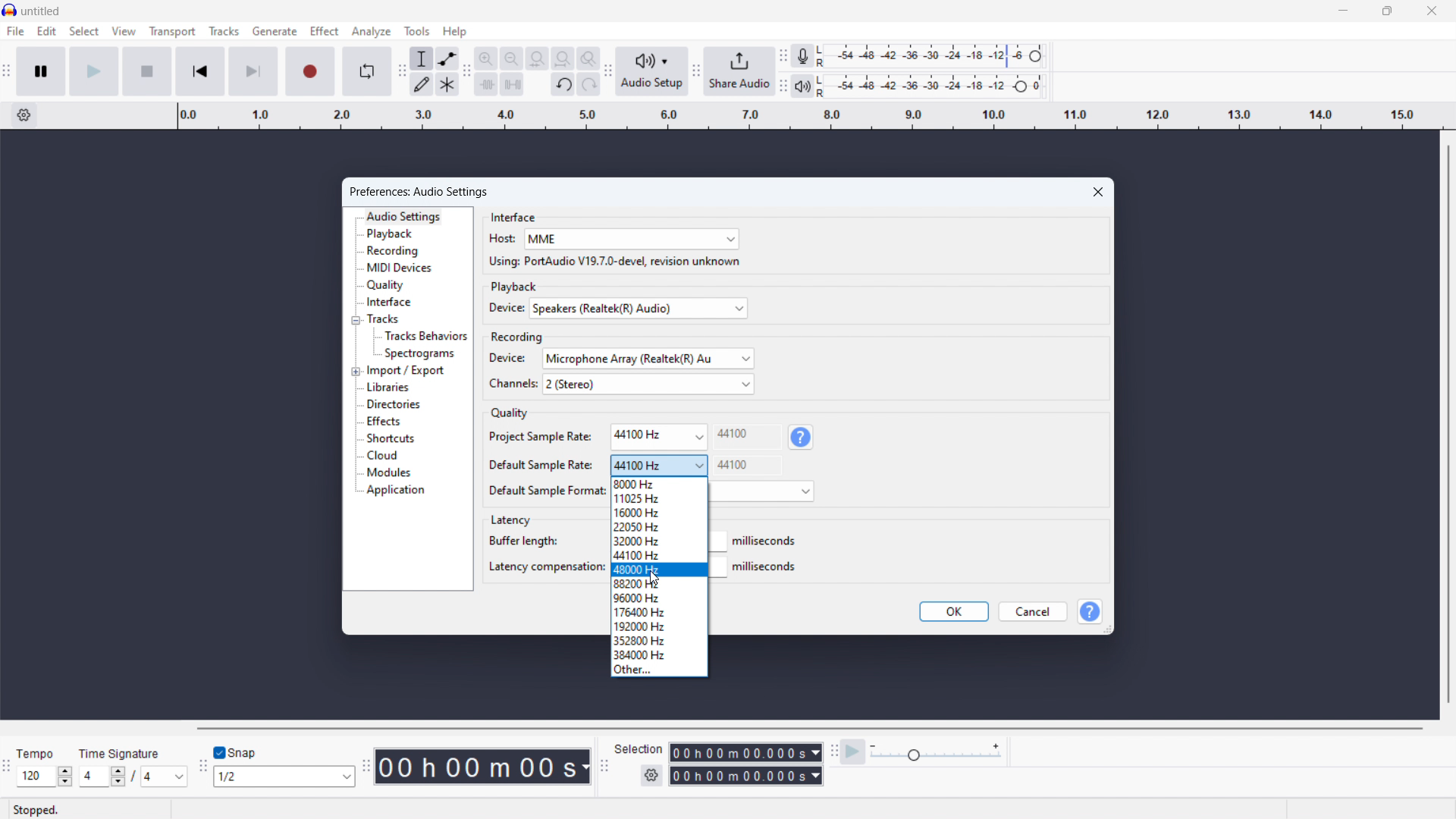  I want to click on toggle zoom, so click(588, 58).